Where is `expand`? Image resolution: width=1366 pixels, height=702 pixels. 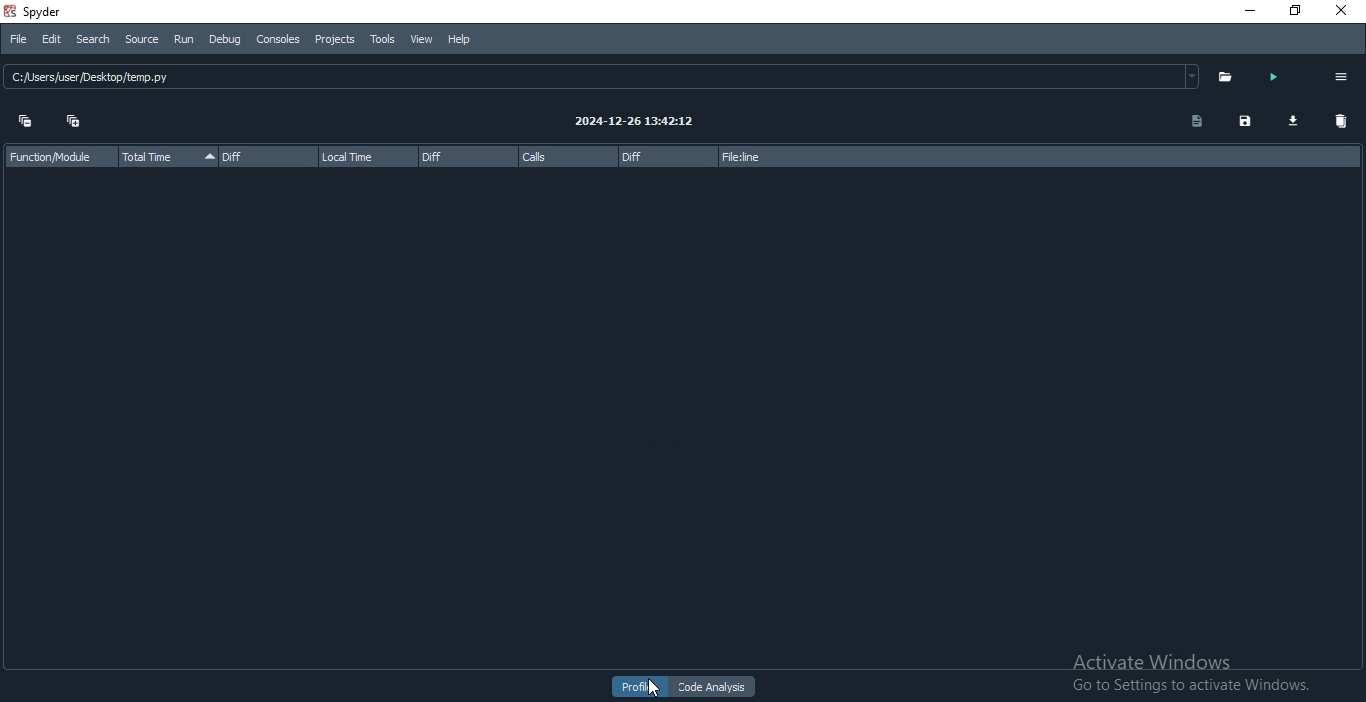
expand is located at coordinates (77, 115).